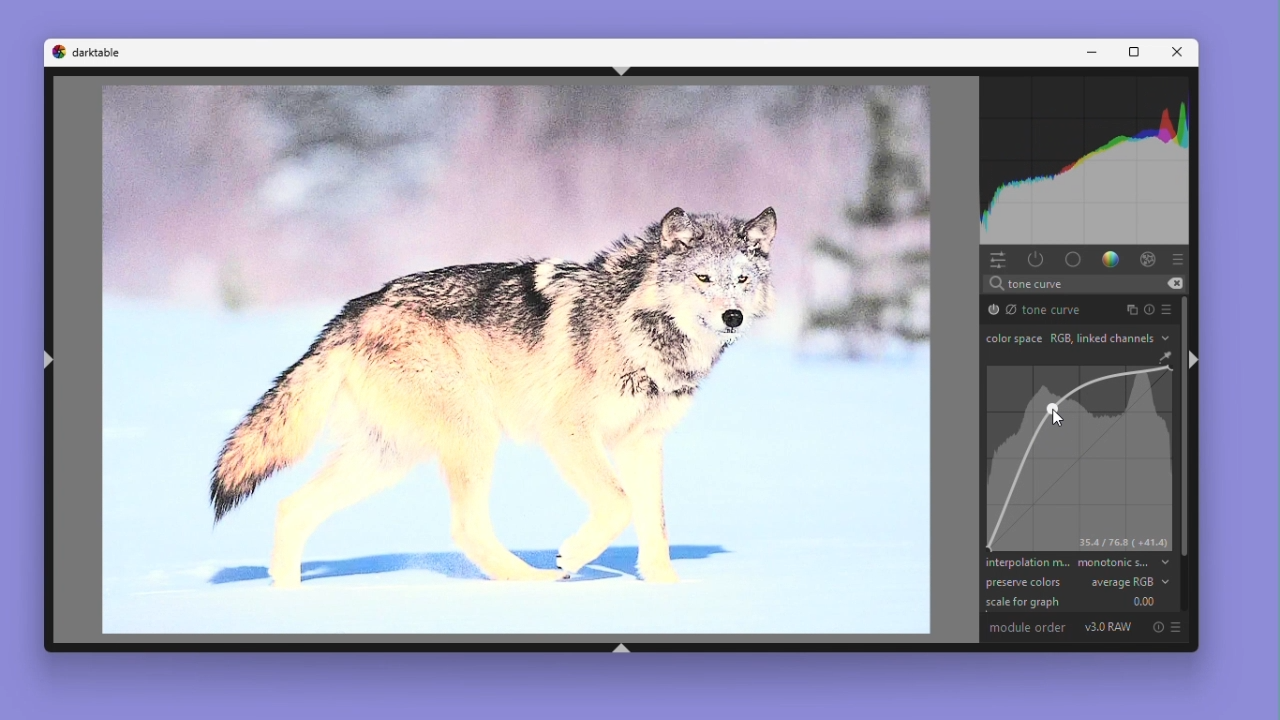  Describe the element at coordinates (1145, 260) in the screenshot. I see `Effect` at that location.